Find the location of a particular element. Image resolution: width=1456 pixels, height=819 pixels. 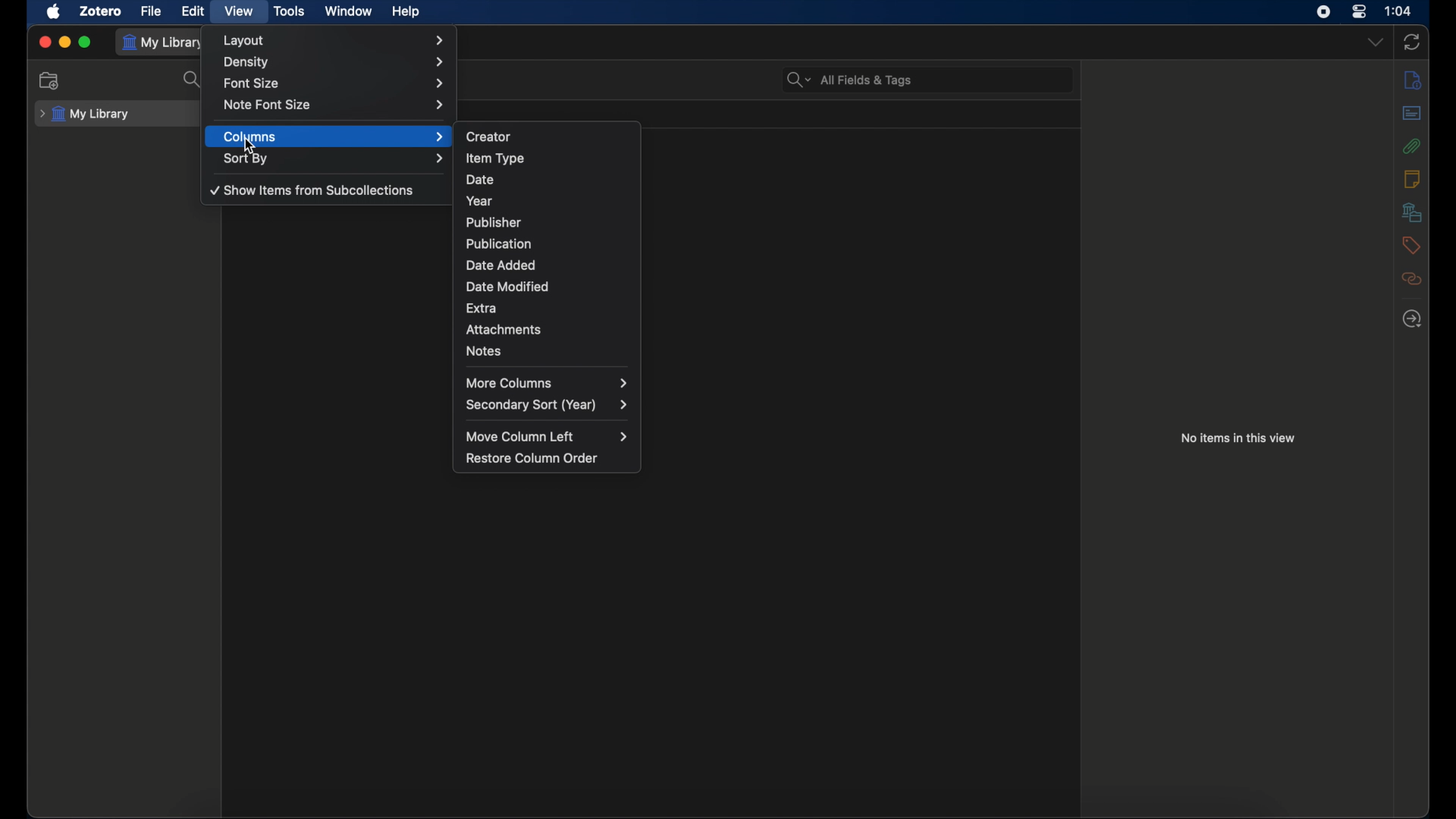

abstract is located at coordinates (1414, 114).